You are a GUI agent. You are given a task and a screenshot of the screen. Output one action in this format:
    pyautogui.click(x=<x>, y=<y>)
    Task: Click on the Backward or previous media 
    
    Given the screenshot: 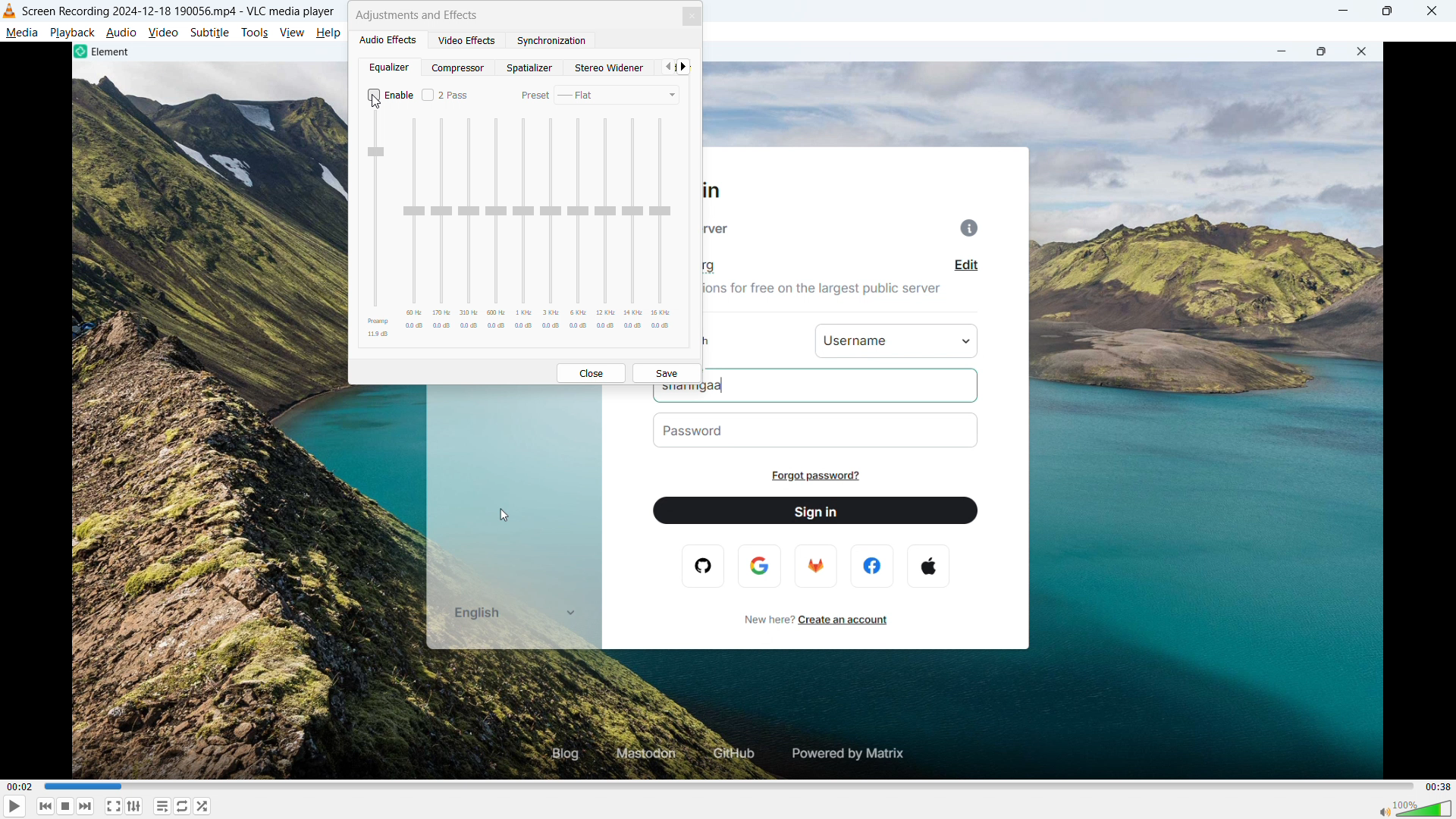 What is the action you would take?
    pyautogui.click(x=45, y=806)
    